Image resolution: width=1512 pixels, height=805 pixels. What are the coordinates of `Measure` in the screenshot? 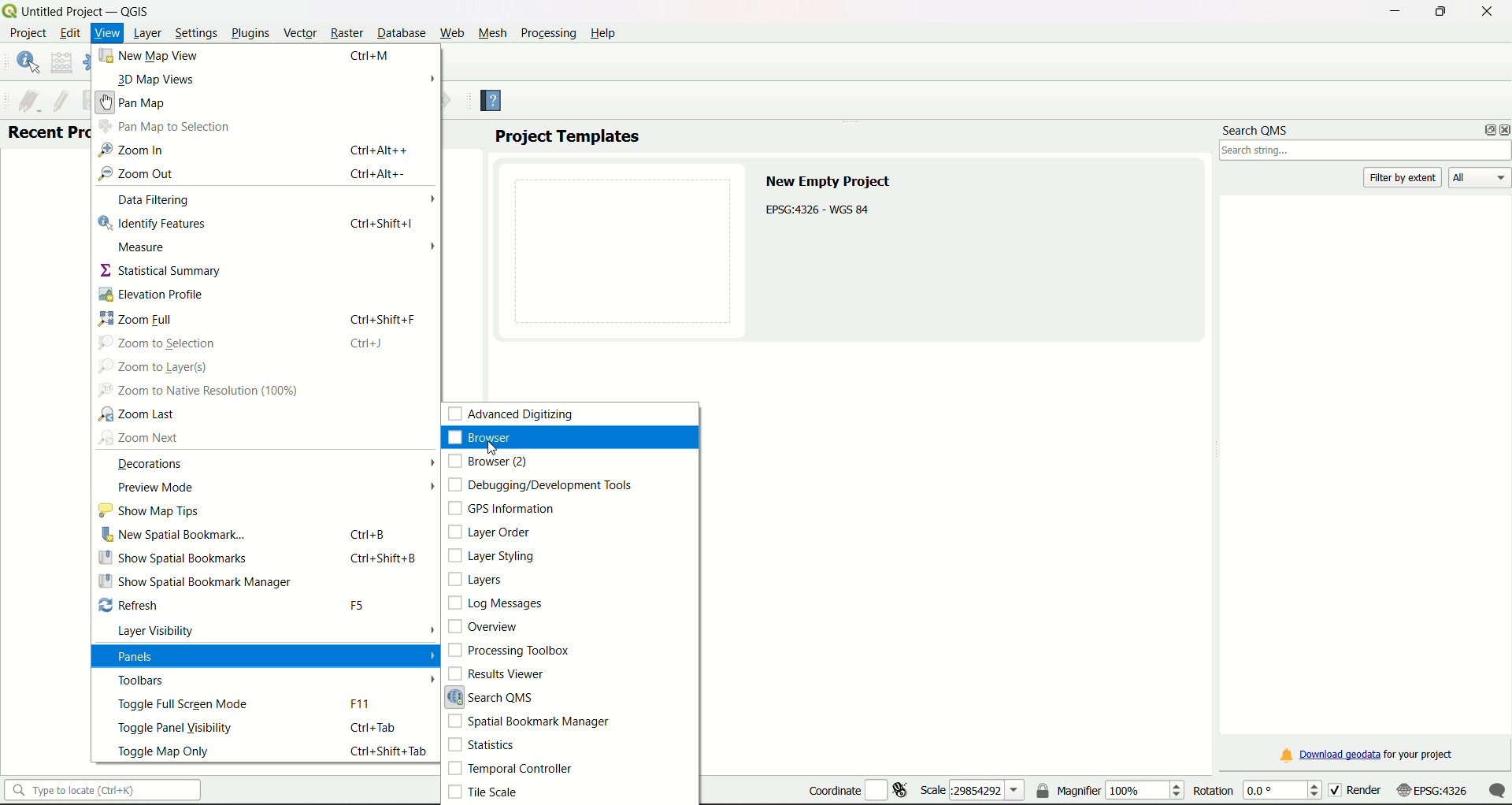 It's located at (145, 248).